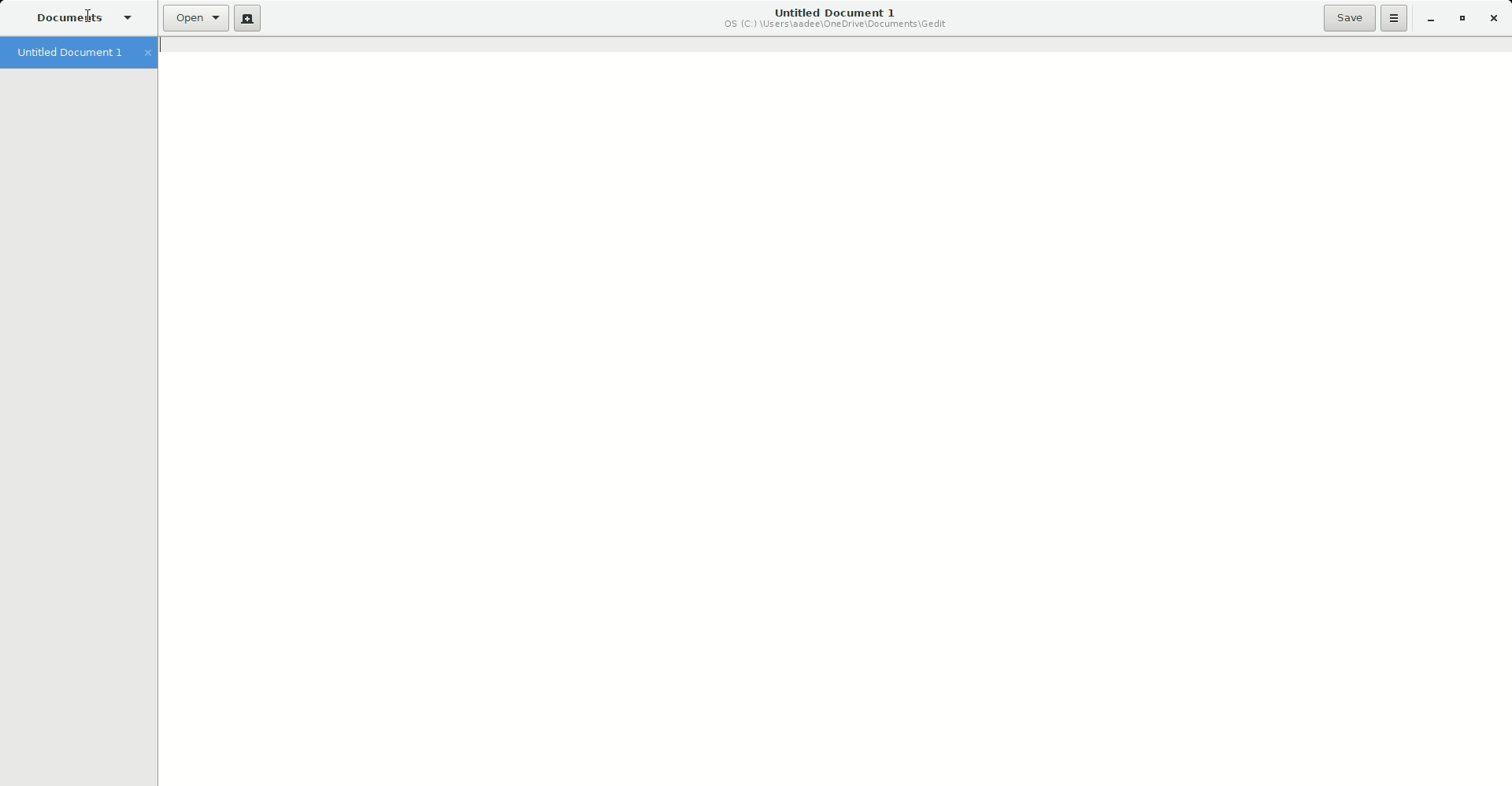 This screenshot has width=1512, height=786. I want to click on Close, so click(1492, 17).